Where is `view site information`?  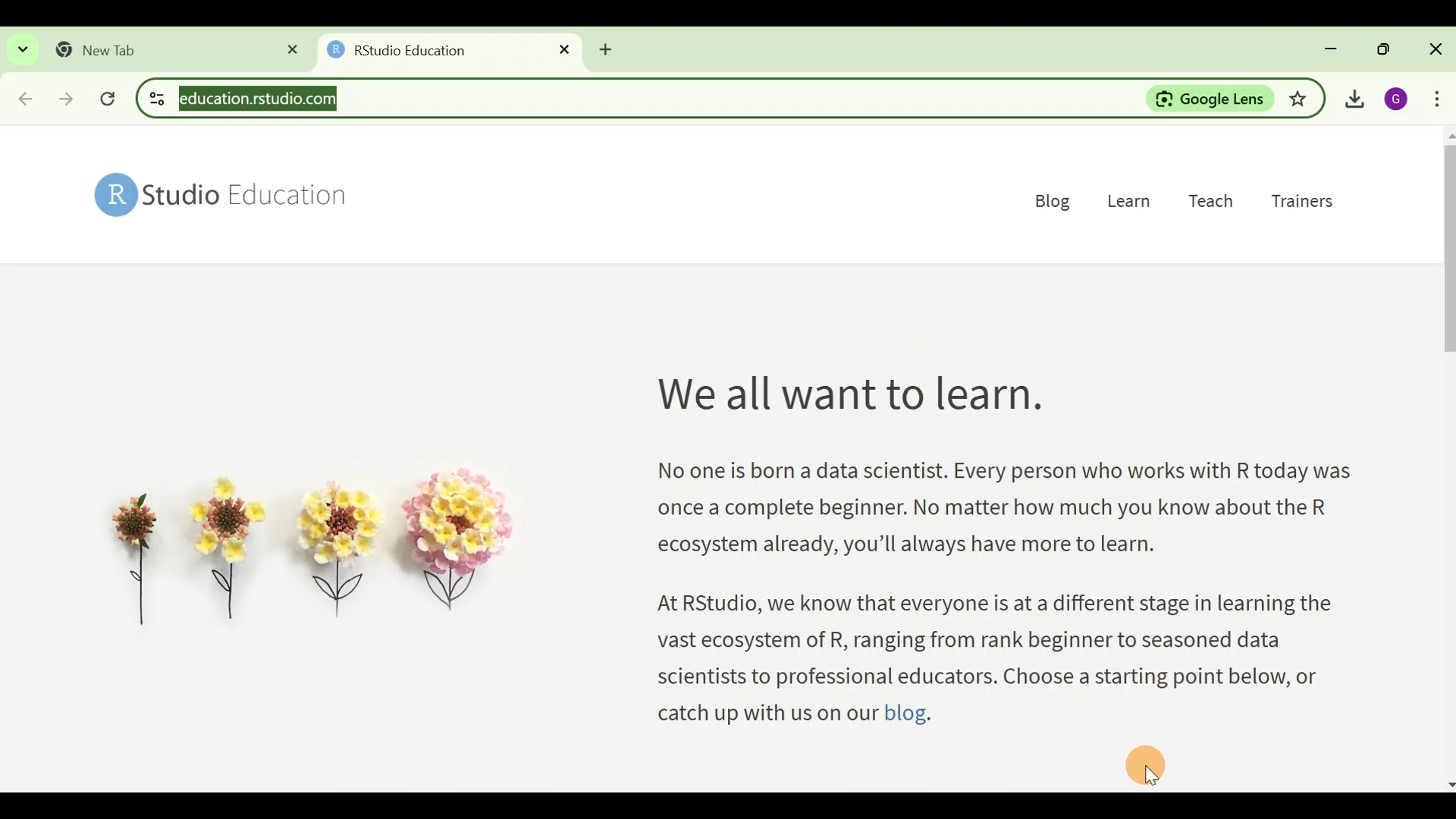
view site information is located at coordinates (155, 99).